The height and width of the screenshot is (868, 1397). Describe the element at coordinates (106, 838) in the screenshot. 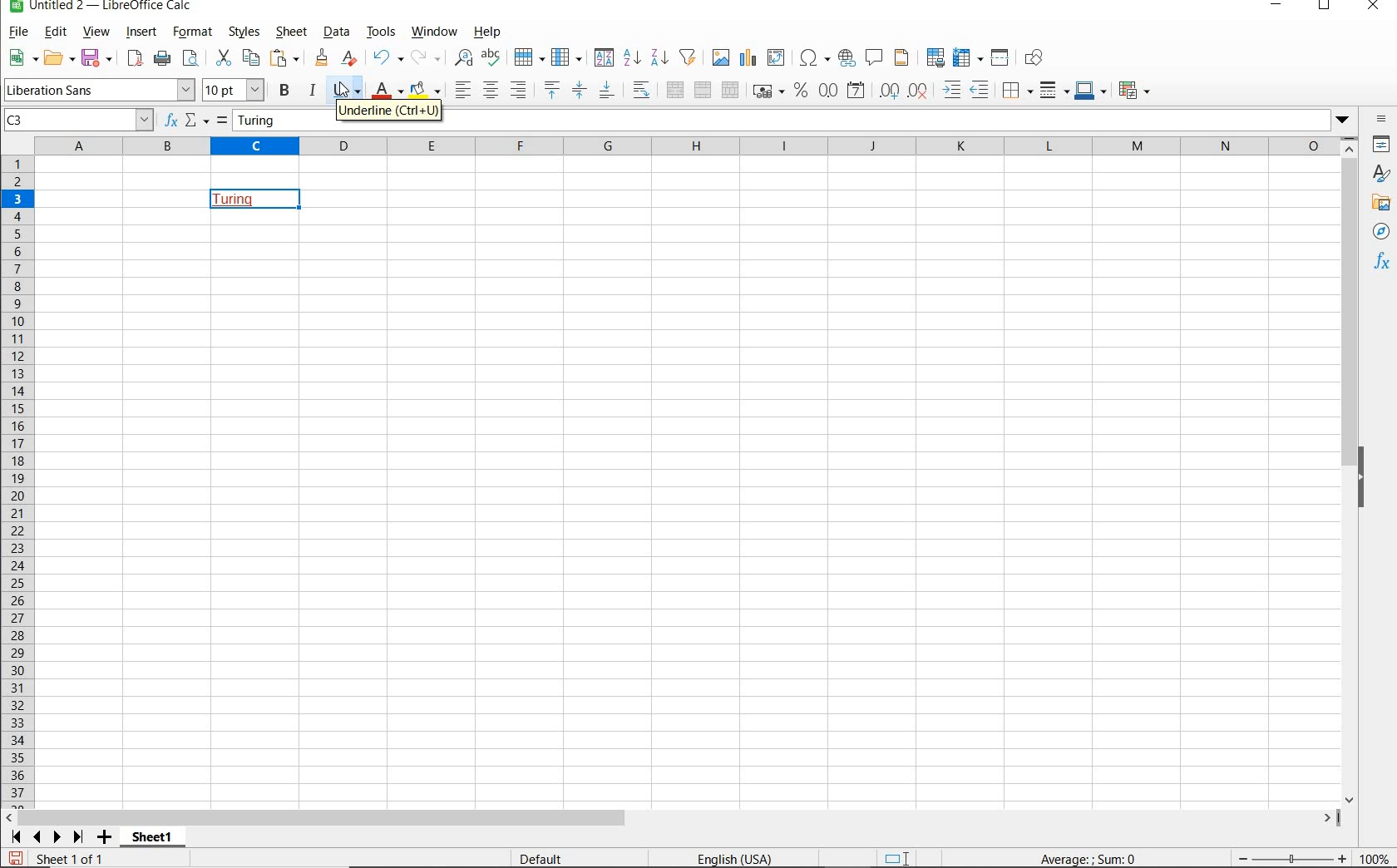

I see `ADD SHEET` at that location.